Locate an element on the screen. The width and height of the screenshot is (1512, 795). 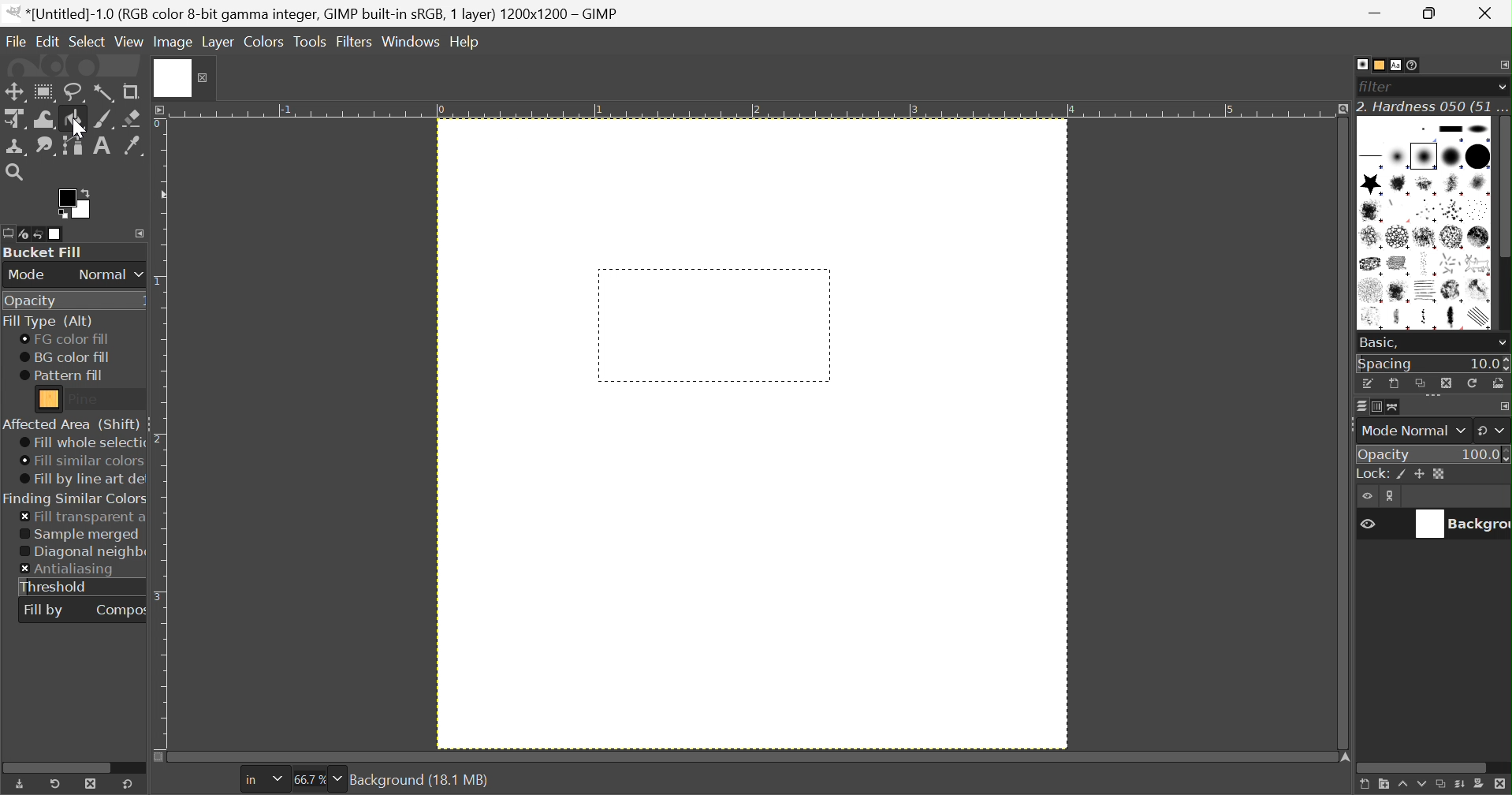
Rectangular box is located at coordinates (714, 325).